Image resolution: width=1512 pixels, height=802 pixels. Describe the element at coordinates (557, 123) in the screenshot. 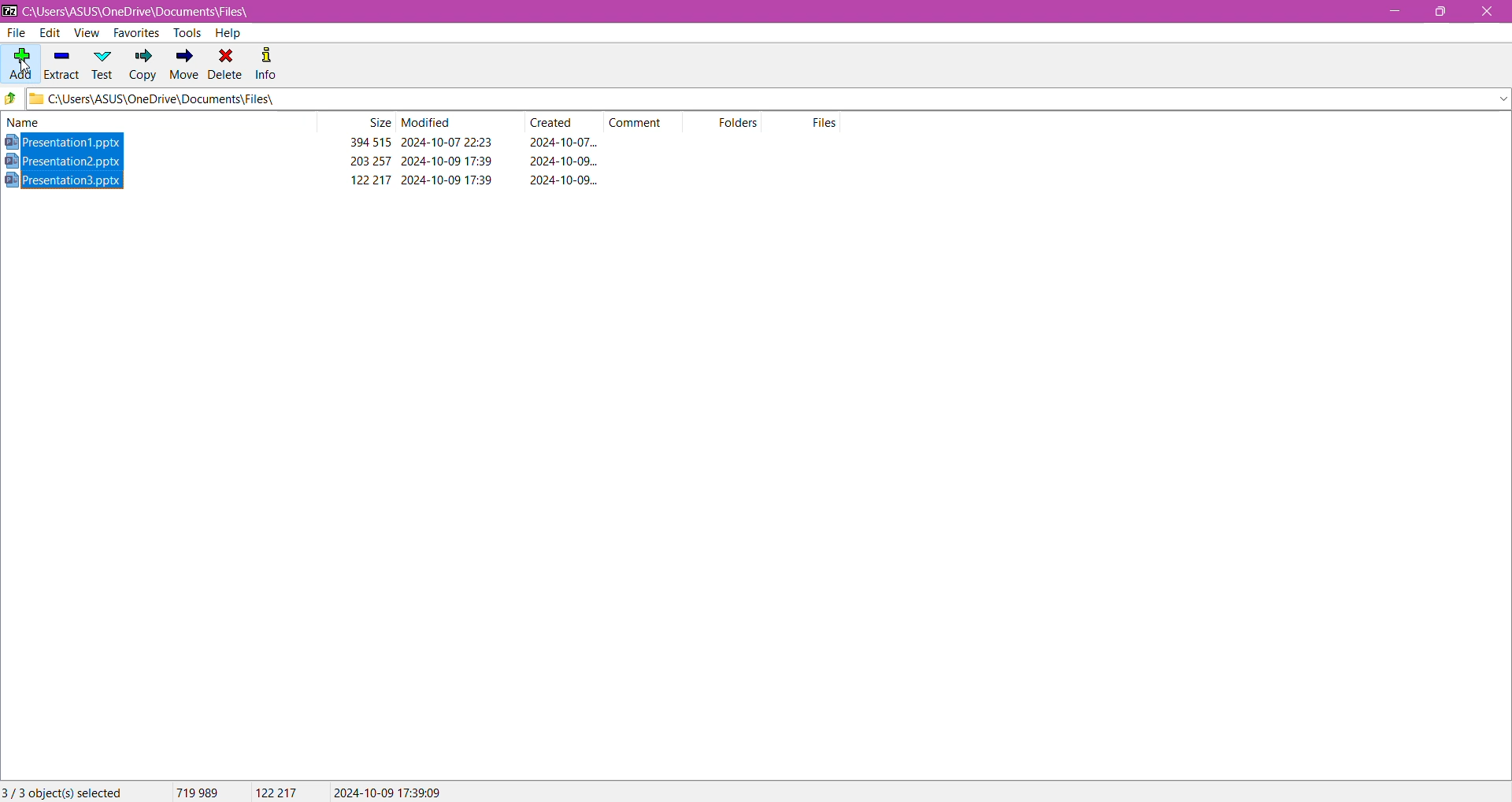

I see `Created` at that location.